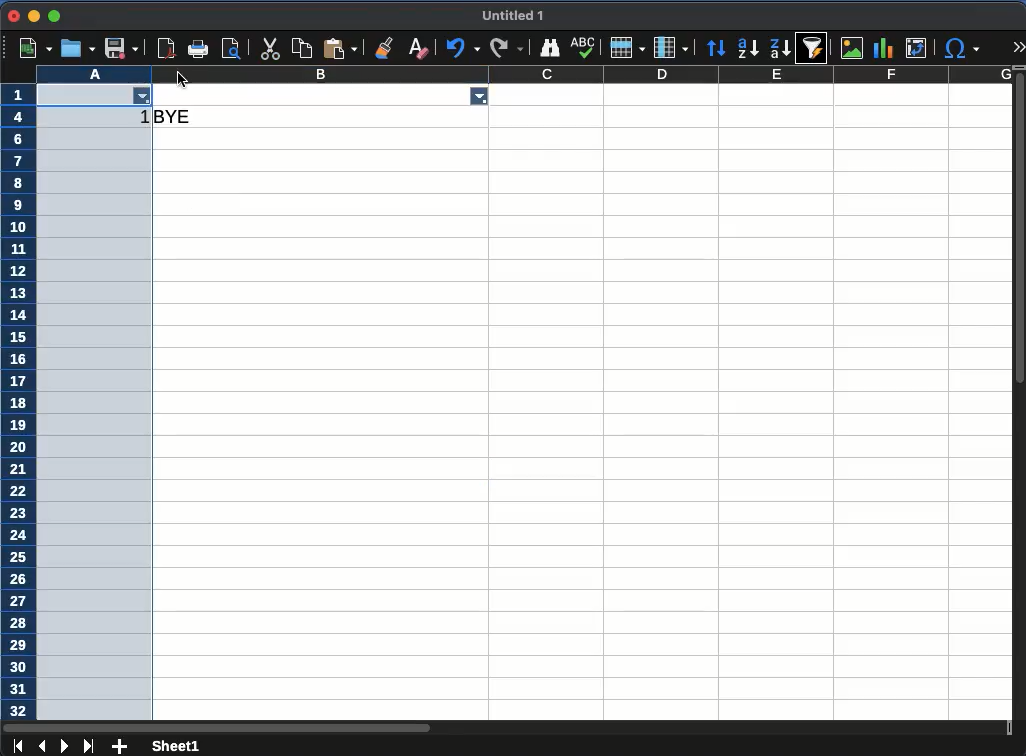 Image resolution: width=1026 pixels, height=756 pixels. What do you see at coordinates (915, 48) in the screenshot?
I see `pivot` at bounding box center [915, 48].